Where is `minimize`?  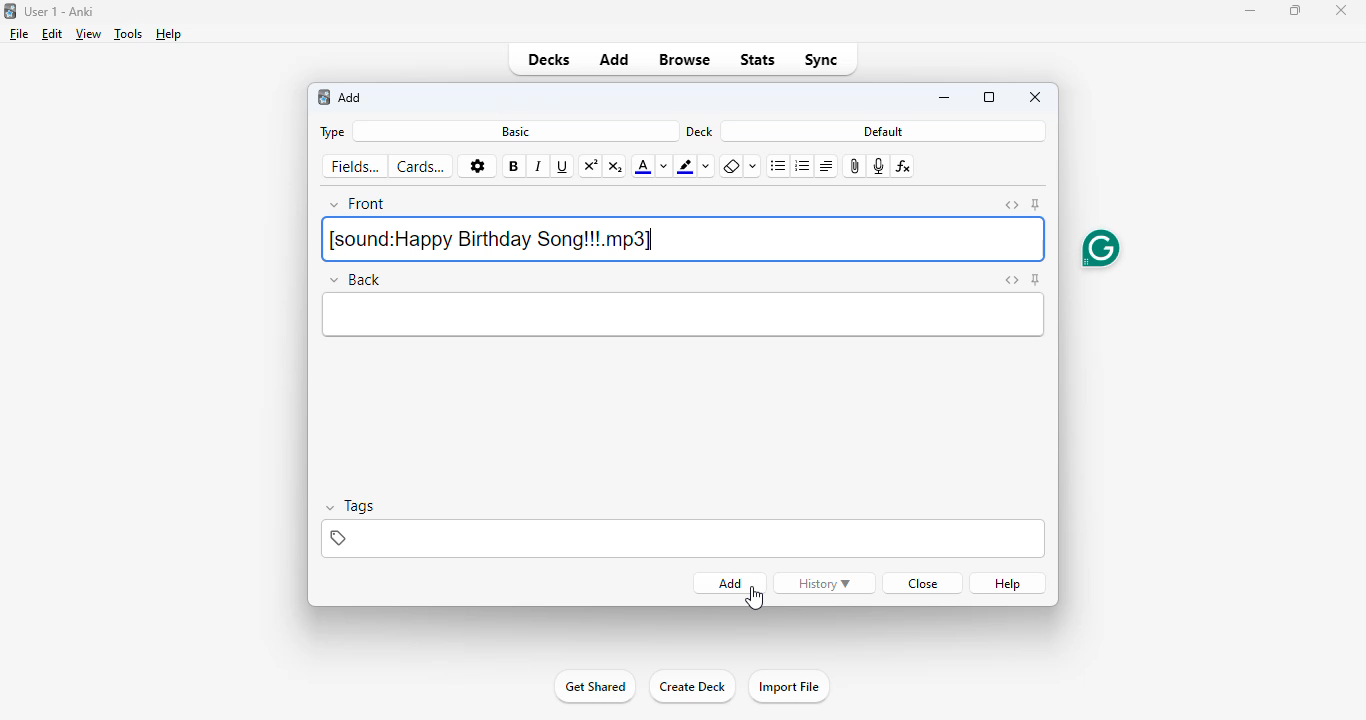
minimize is located at coordinates (944, 98).